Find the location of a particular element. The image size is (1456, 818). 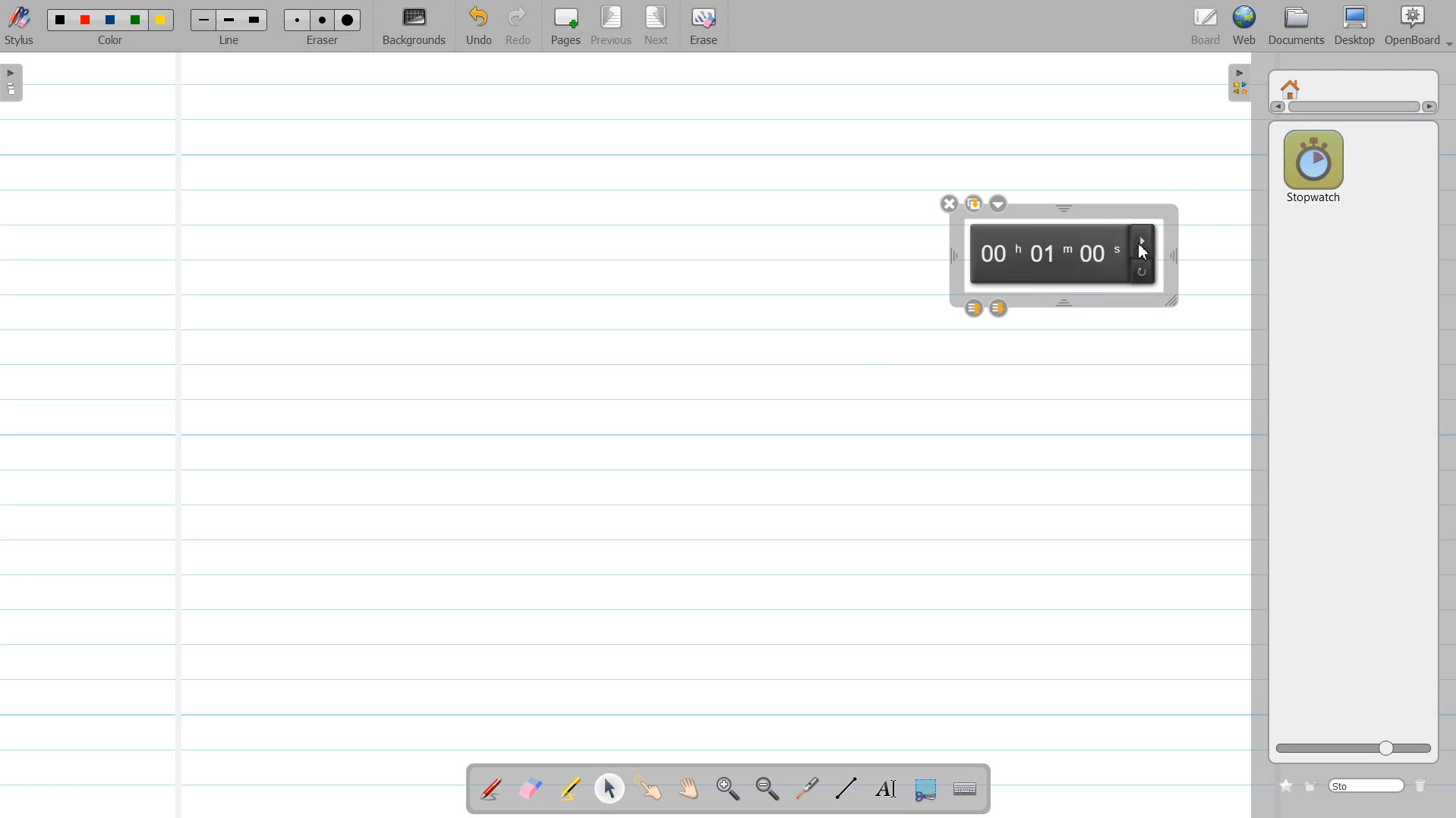

00 is located at coordinates (1101, 257).